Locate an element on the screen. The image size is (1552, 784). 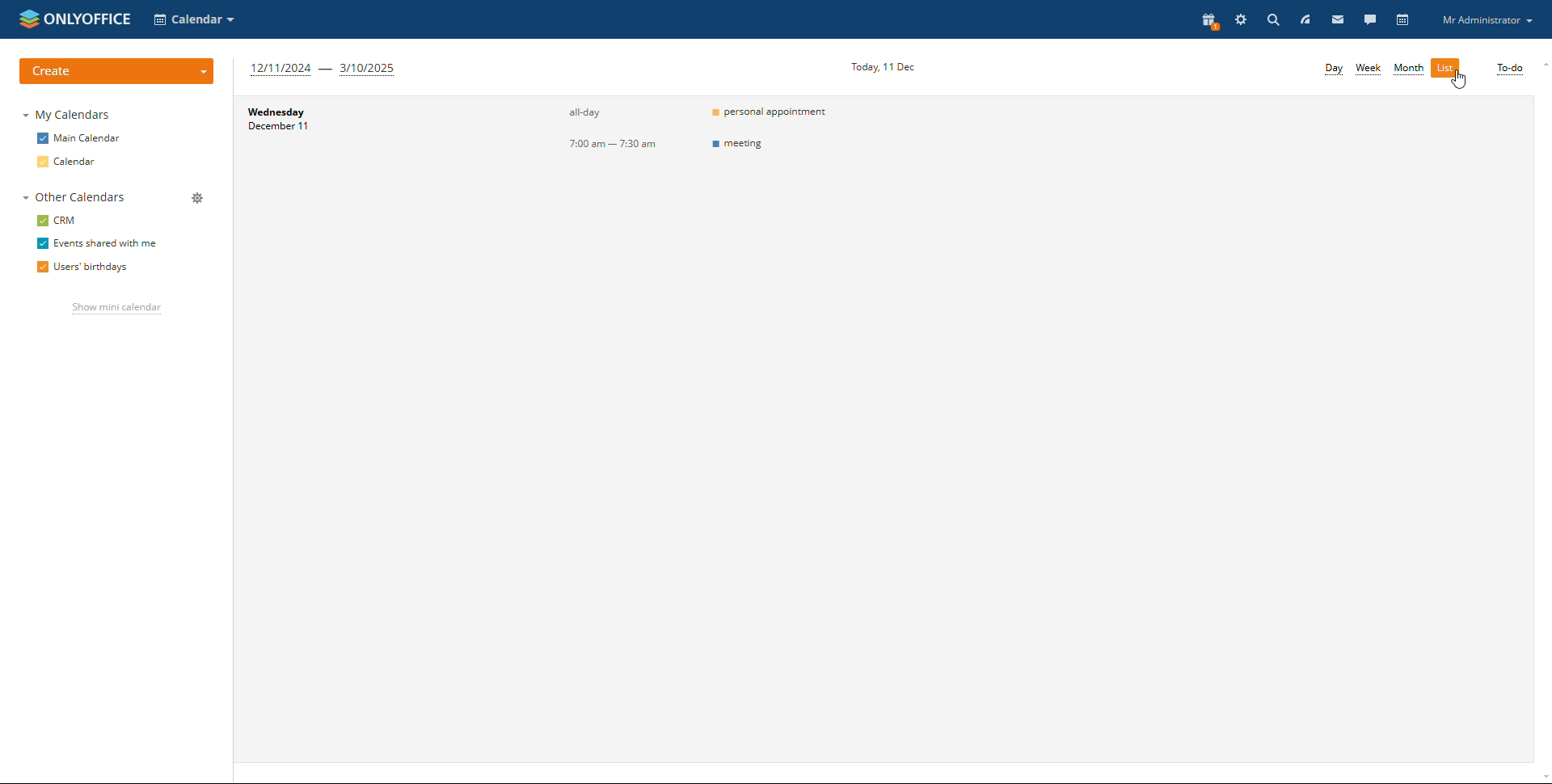
list view selected is located at coordinates (1445, 68).